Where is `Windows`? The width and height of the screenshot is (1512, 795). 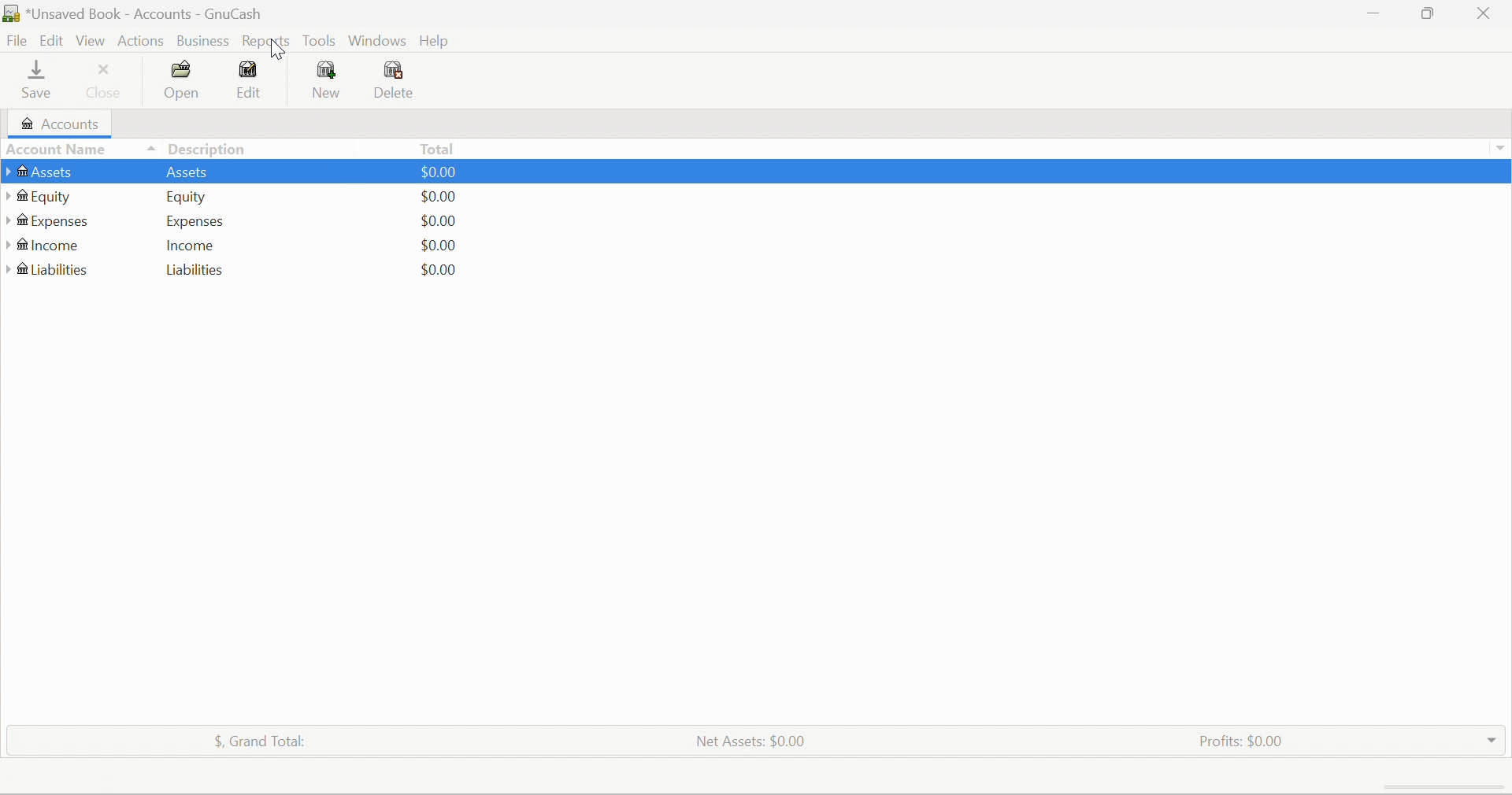
Windows is located at coordinates (376, 39).